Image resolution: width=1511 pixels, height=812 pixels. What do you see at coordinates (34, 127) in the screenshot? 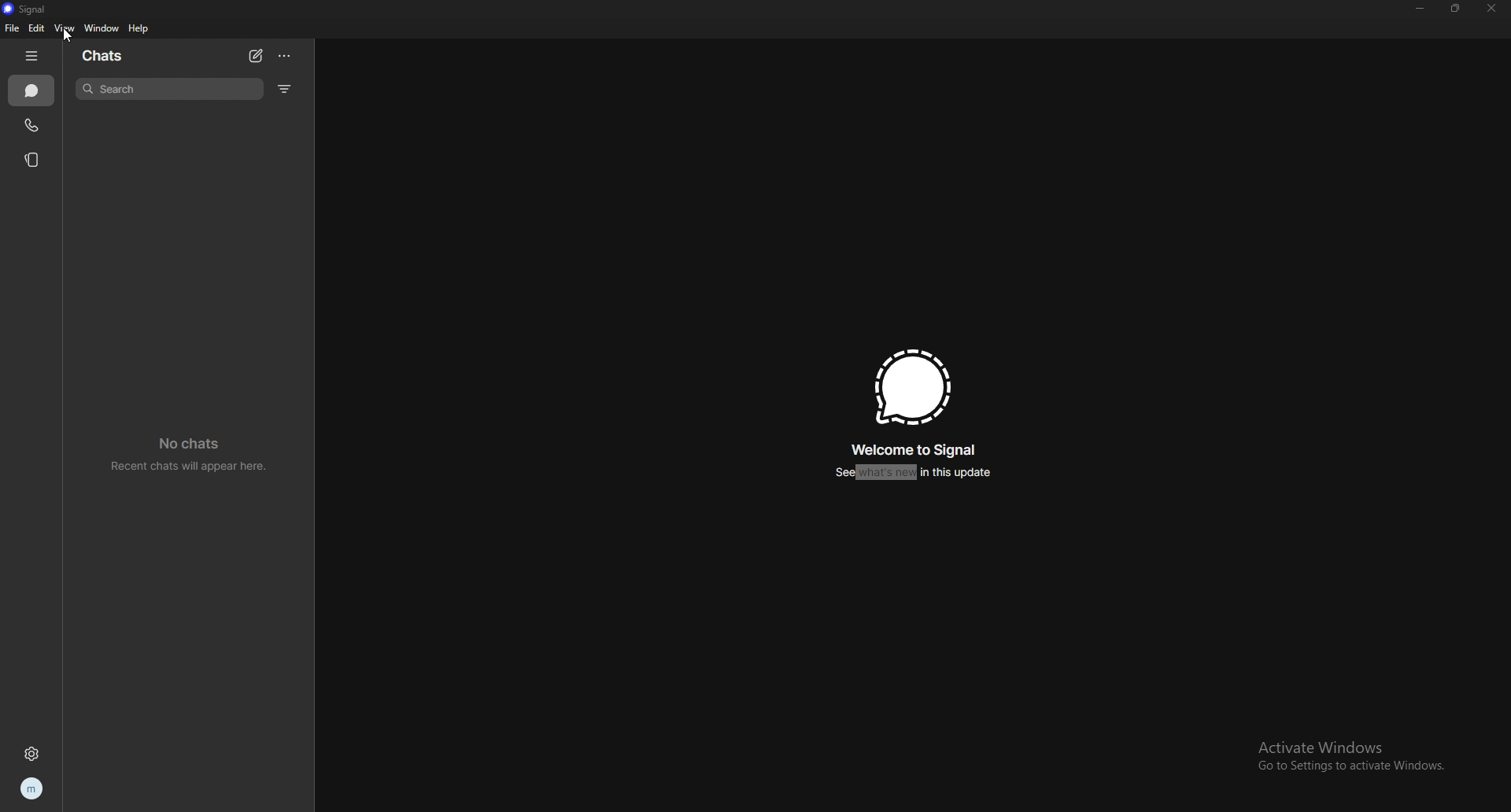
I see `calls` at bounding box center [34, 127].